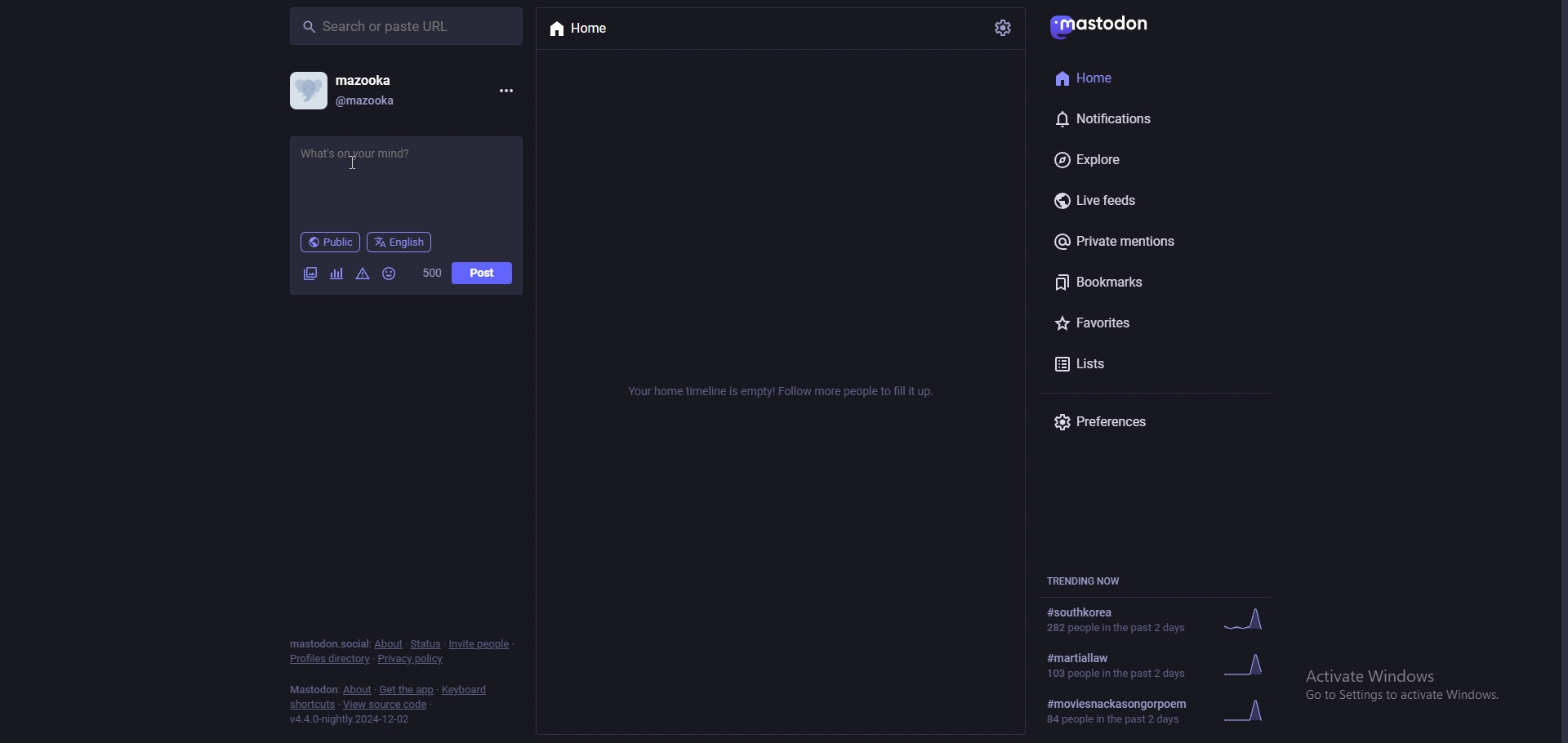  Describe the element at coordinates (413, 659) in the screenshot. I see `privacy policy` at that location.